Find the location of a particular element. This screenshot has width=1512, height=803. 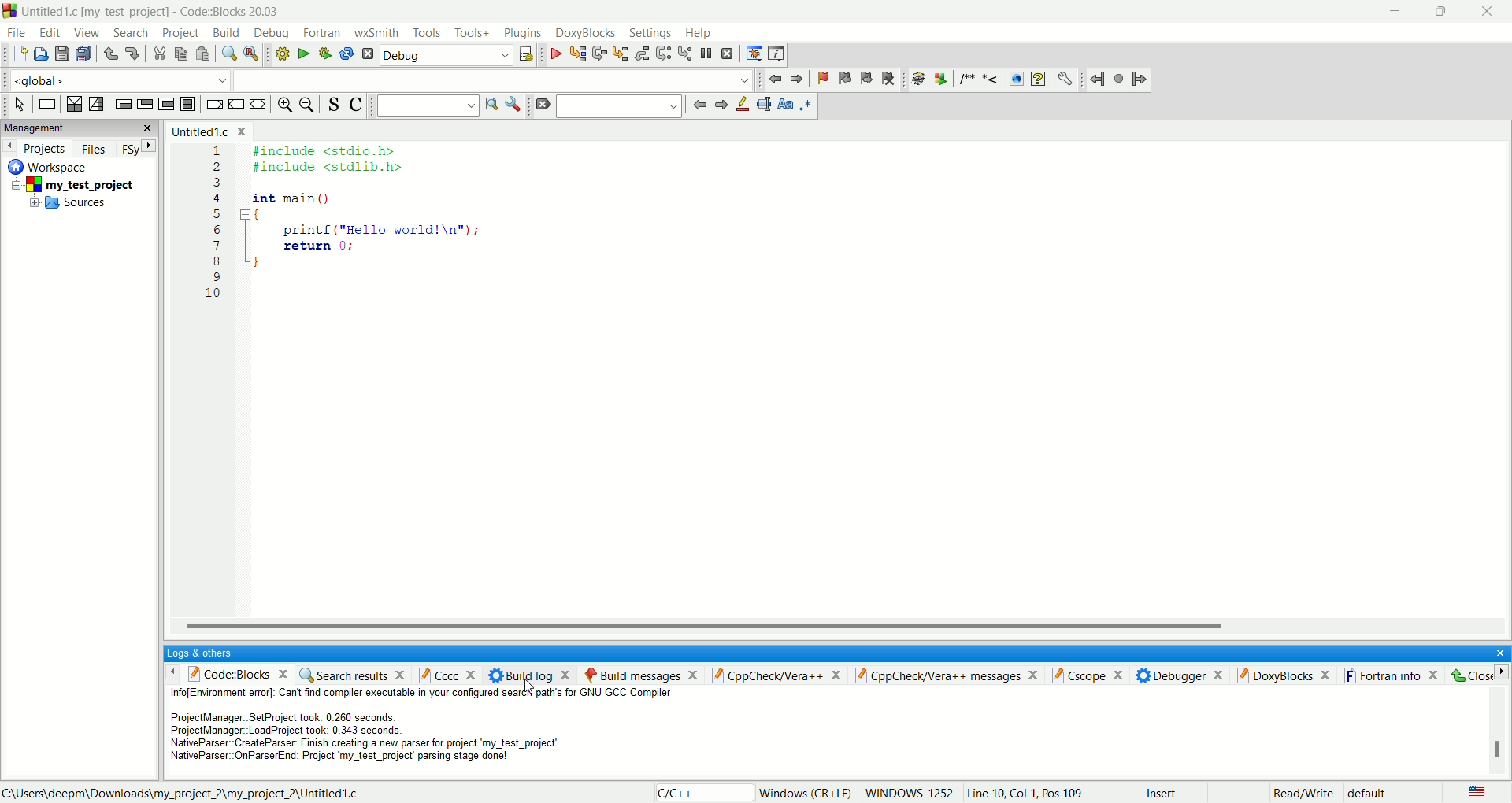

cccc is located at coordinates (451, 674).